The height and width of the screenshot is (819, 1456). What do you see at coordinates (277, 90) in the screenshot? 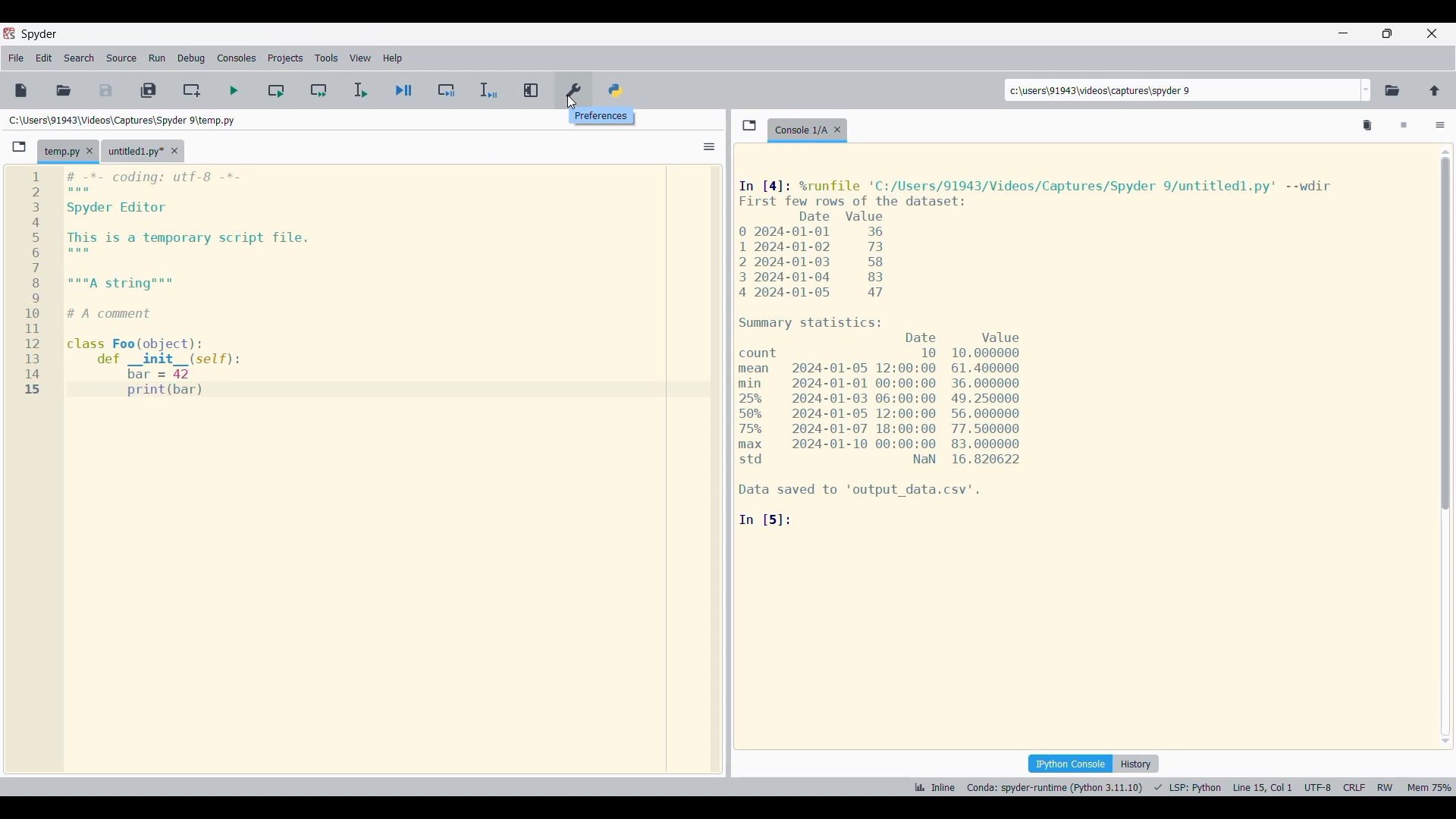
I see `Run current cell` at bounding box center [277, 90].